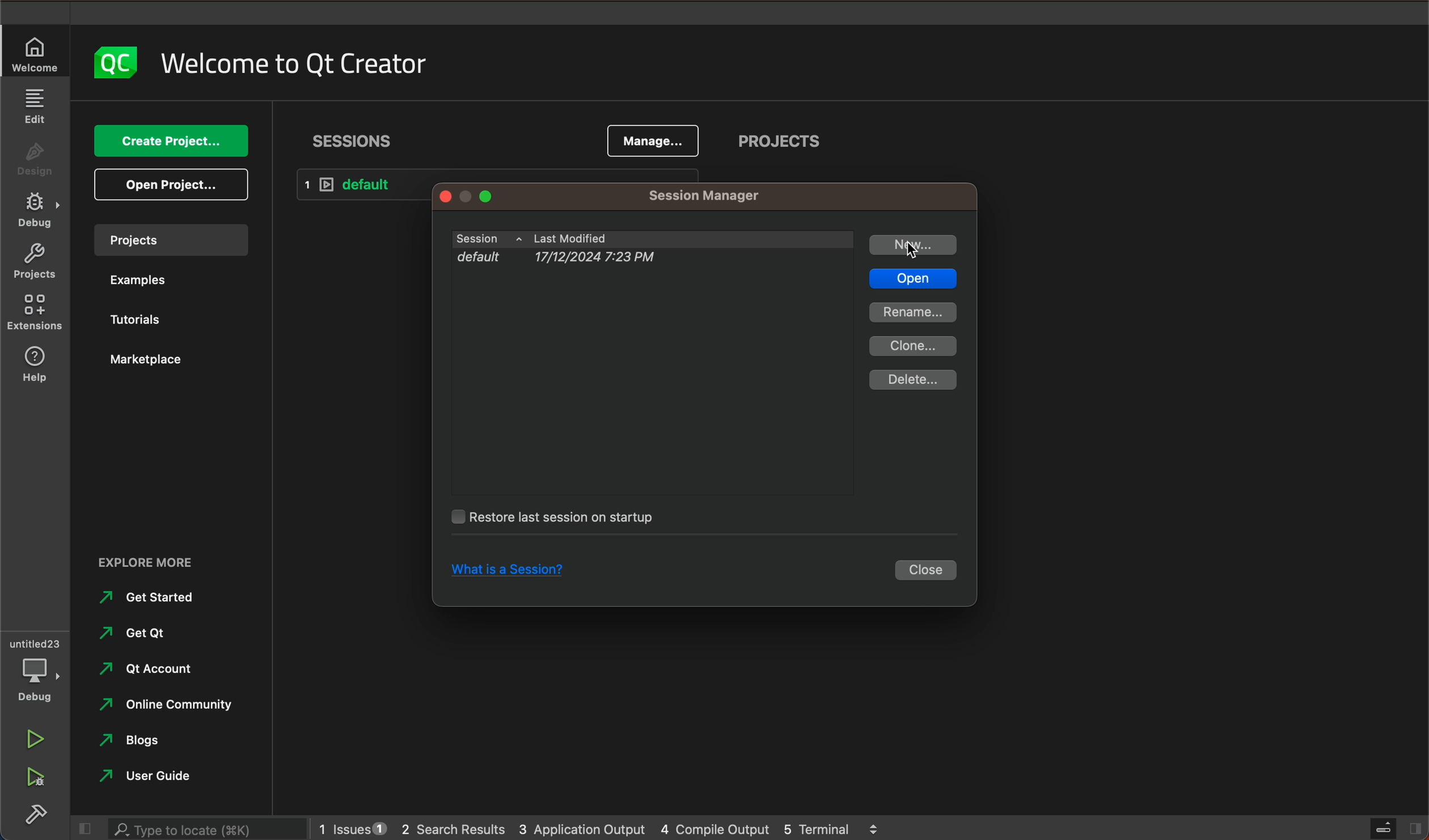 This screenshot has width=1429, height=840. I want to click on cursor, so click(916, 250).